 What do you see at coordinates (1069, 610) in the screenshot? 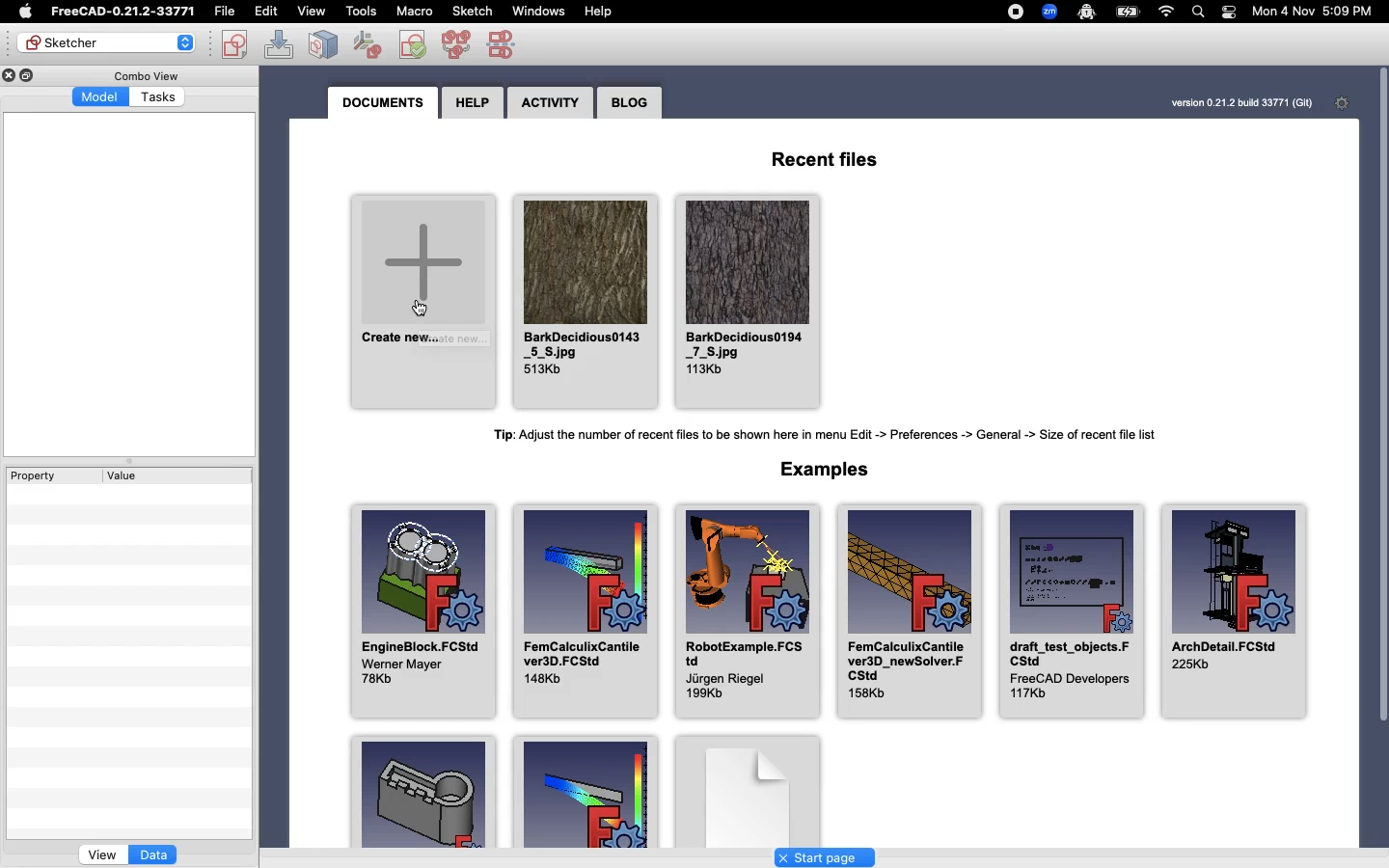
I see `draft_test_objects.FCStd FreeCad Developers 117Kb` at bounding box center [1069, 610].